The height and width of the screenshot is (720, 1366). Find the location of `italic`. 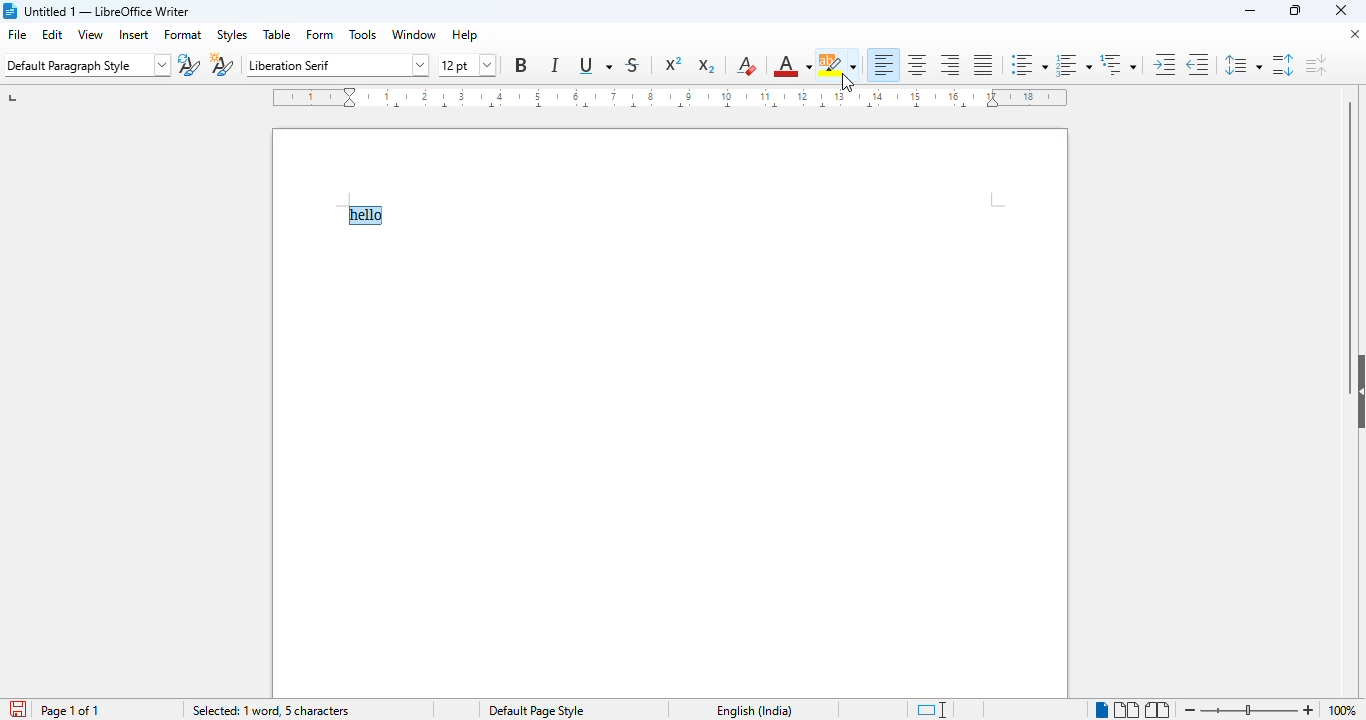

italic is located at coordinates (555, 65).